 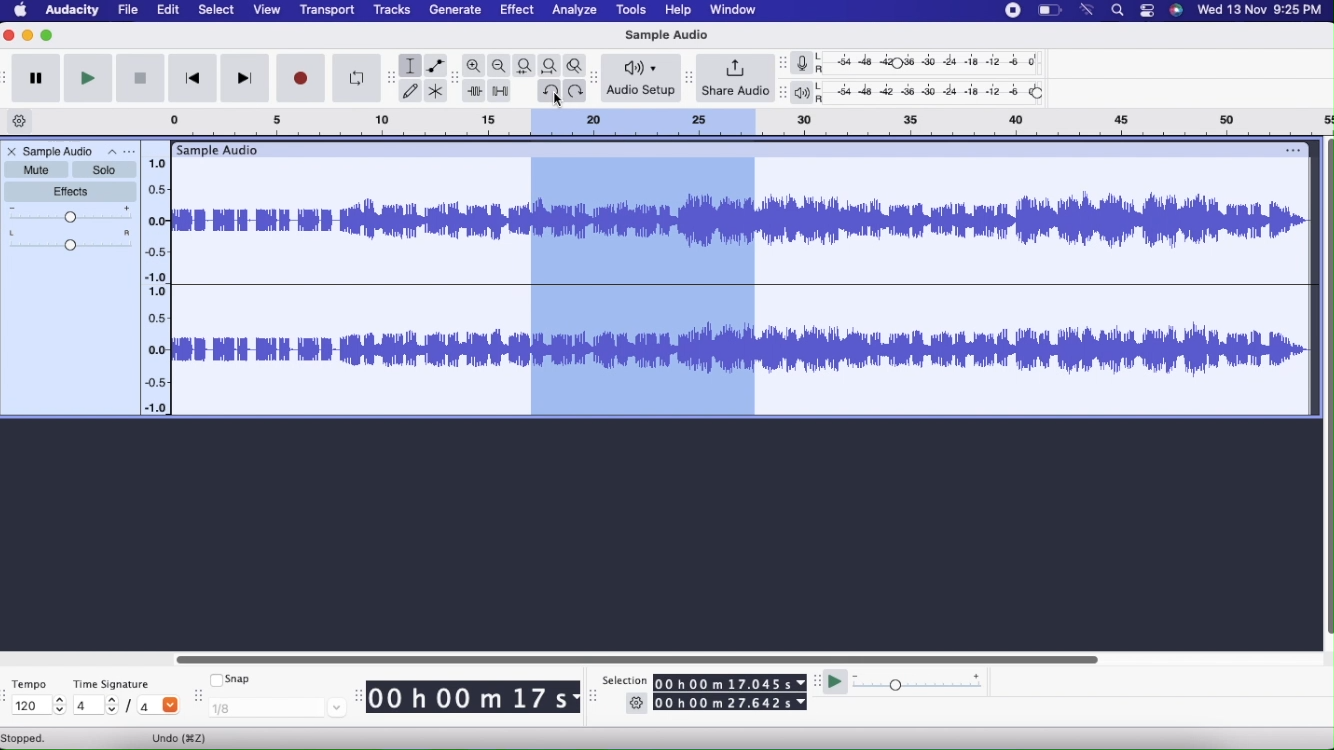 What do you see at coordinates (557, 100) in the screenshot?
I see `cursor` at bounding box center [557, 100].